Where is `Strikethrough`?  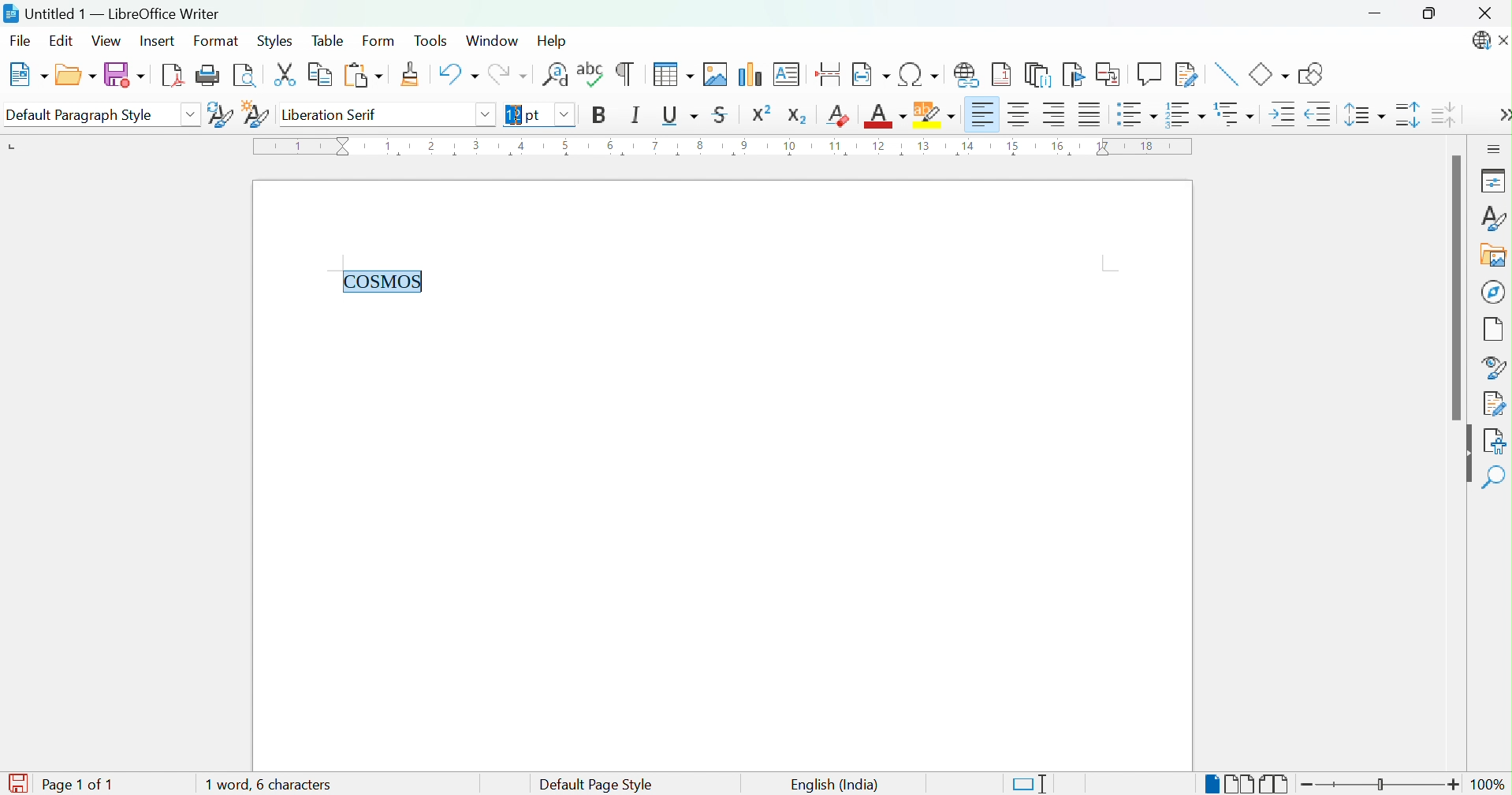
Strikethrough is located at coordinates (721, 117).